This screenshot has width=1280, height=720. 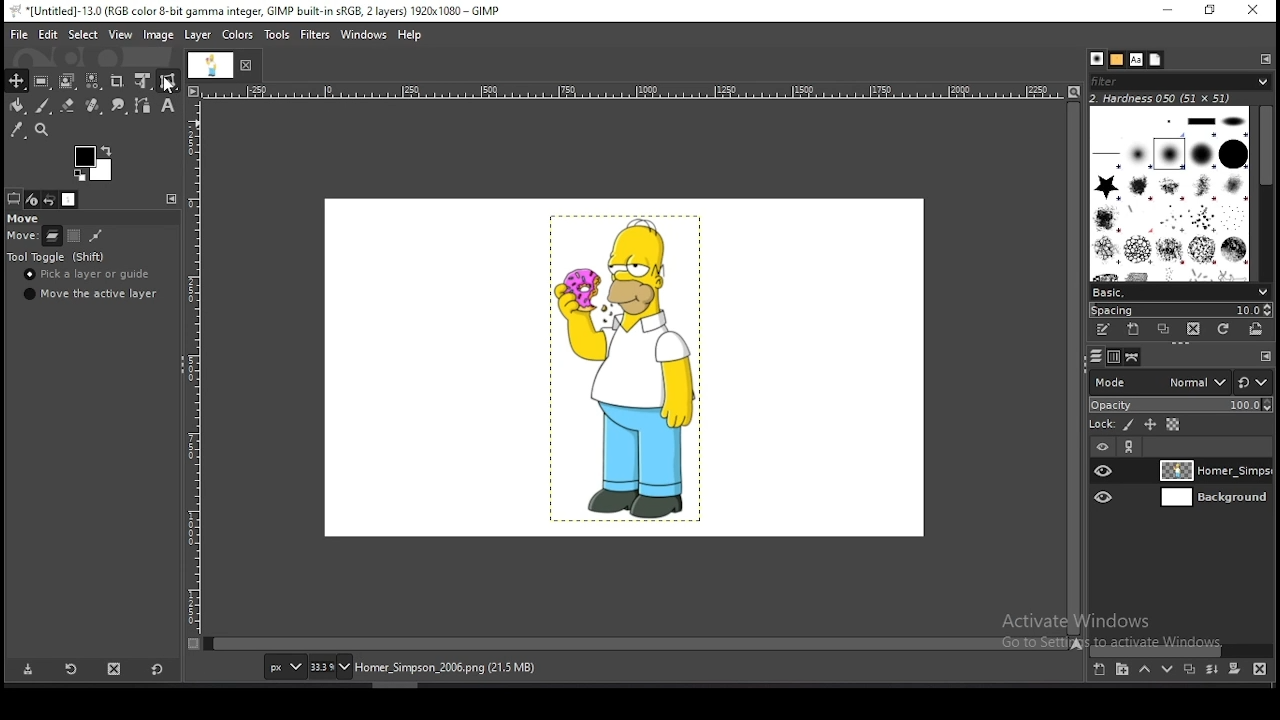 I want to click on opacity, so click(x=1180, y=404).